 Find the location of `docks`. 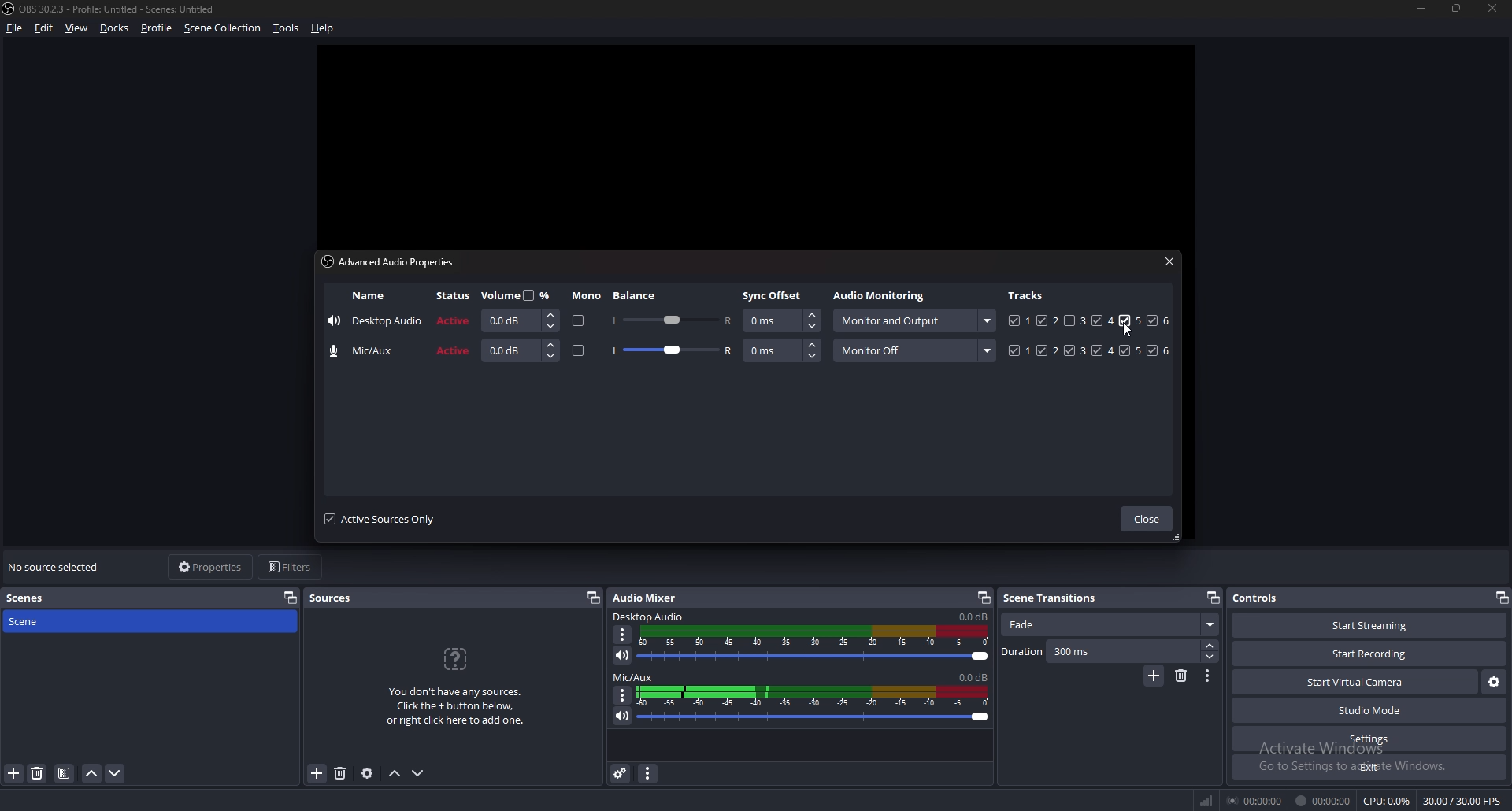

docks is located at coordinates (117, 28).